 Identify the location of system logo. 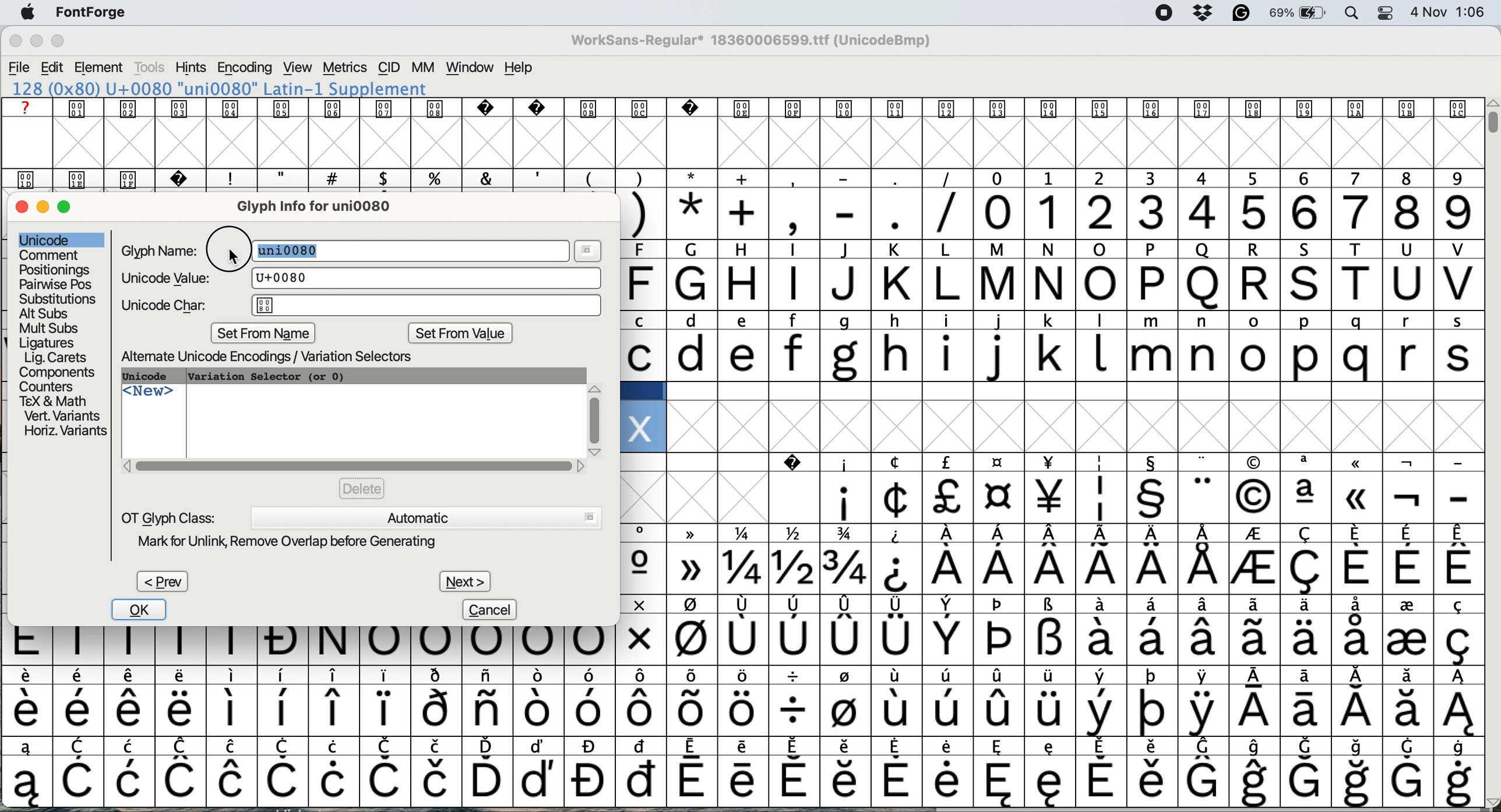
(33, 13).